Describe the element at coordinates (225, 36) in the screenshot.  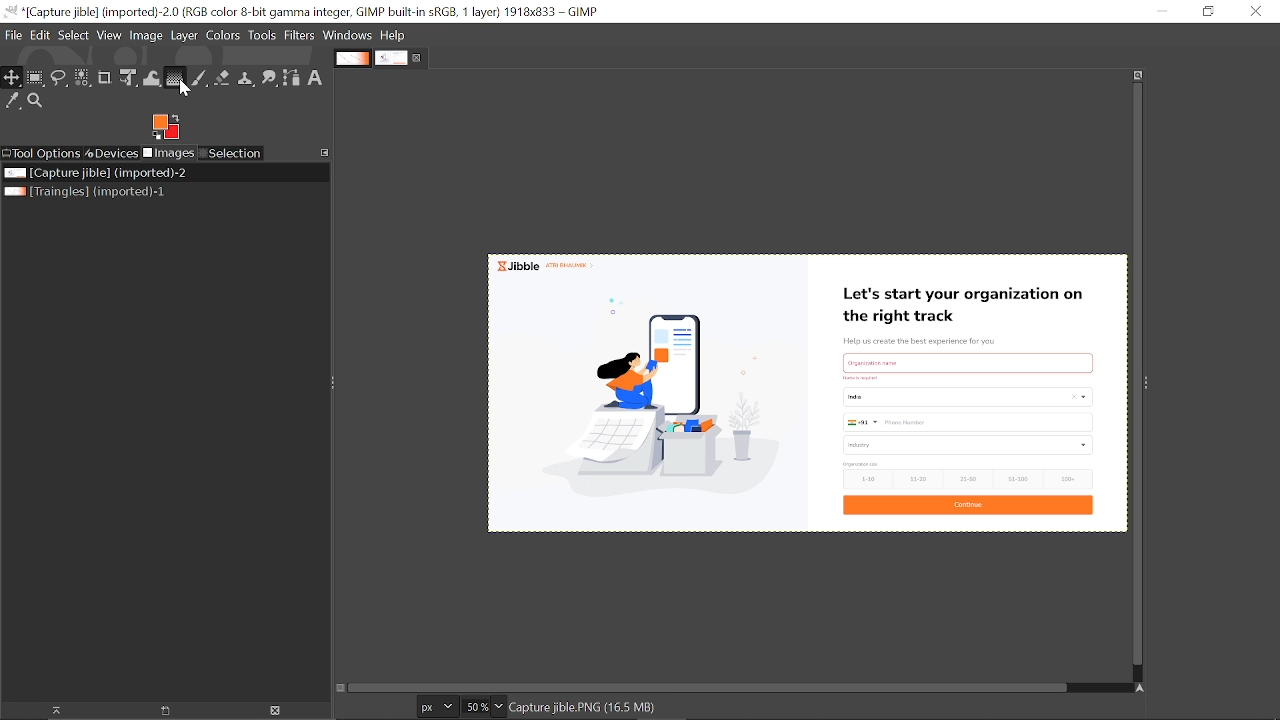
I see `Colors` at that location.